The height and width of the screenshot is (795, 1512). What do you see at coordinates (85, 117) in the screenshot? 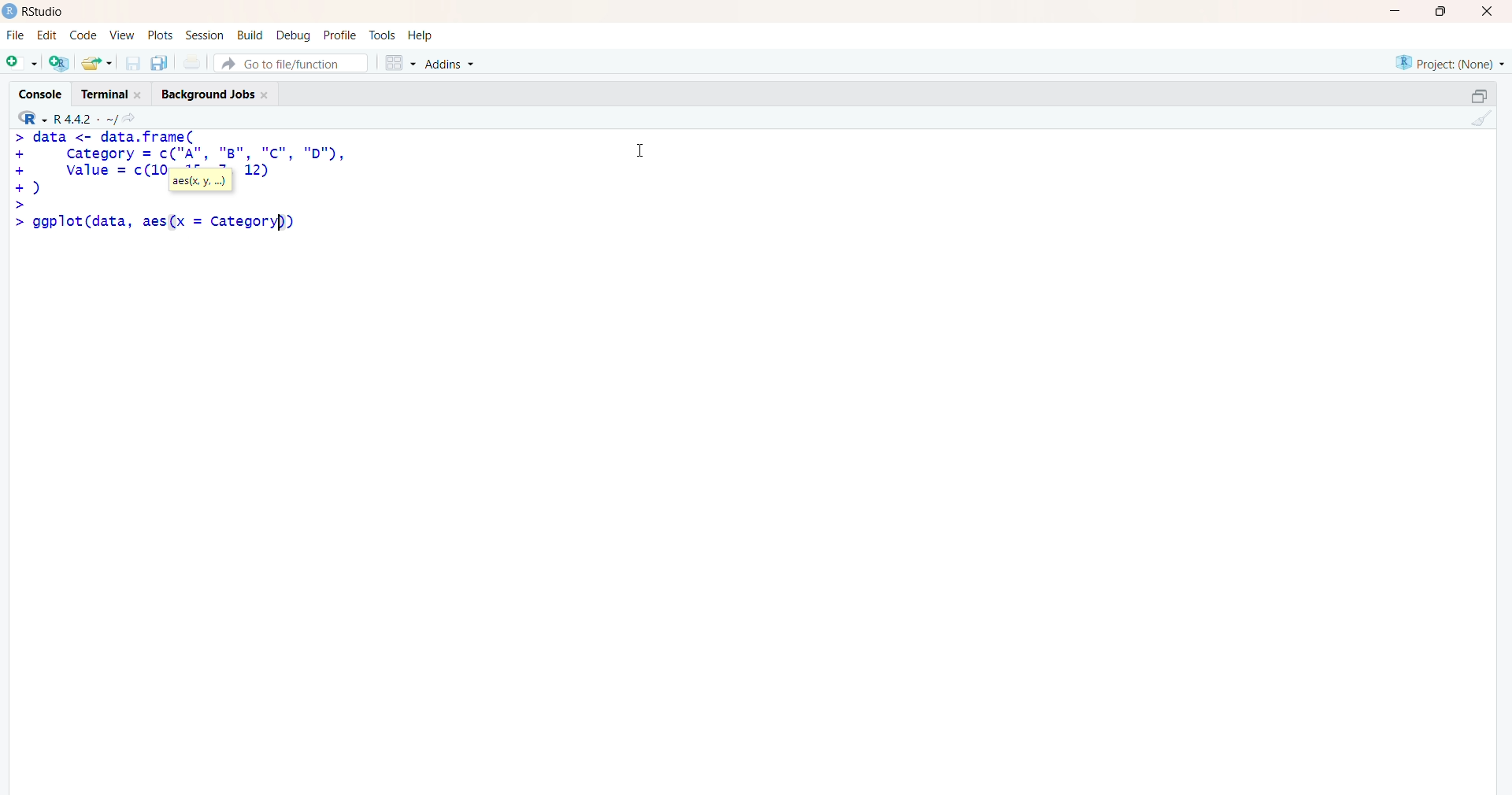
I see ` R language version - R 4.4.2` at bounding box center [85, 117].